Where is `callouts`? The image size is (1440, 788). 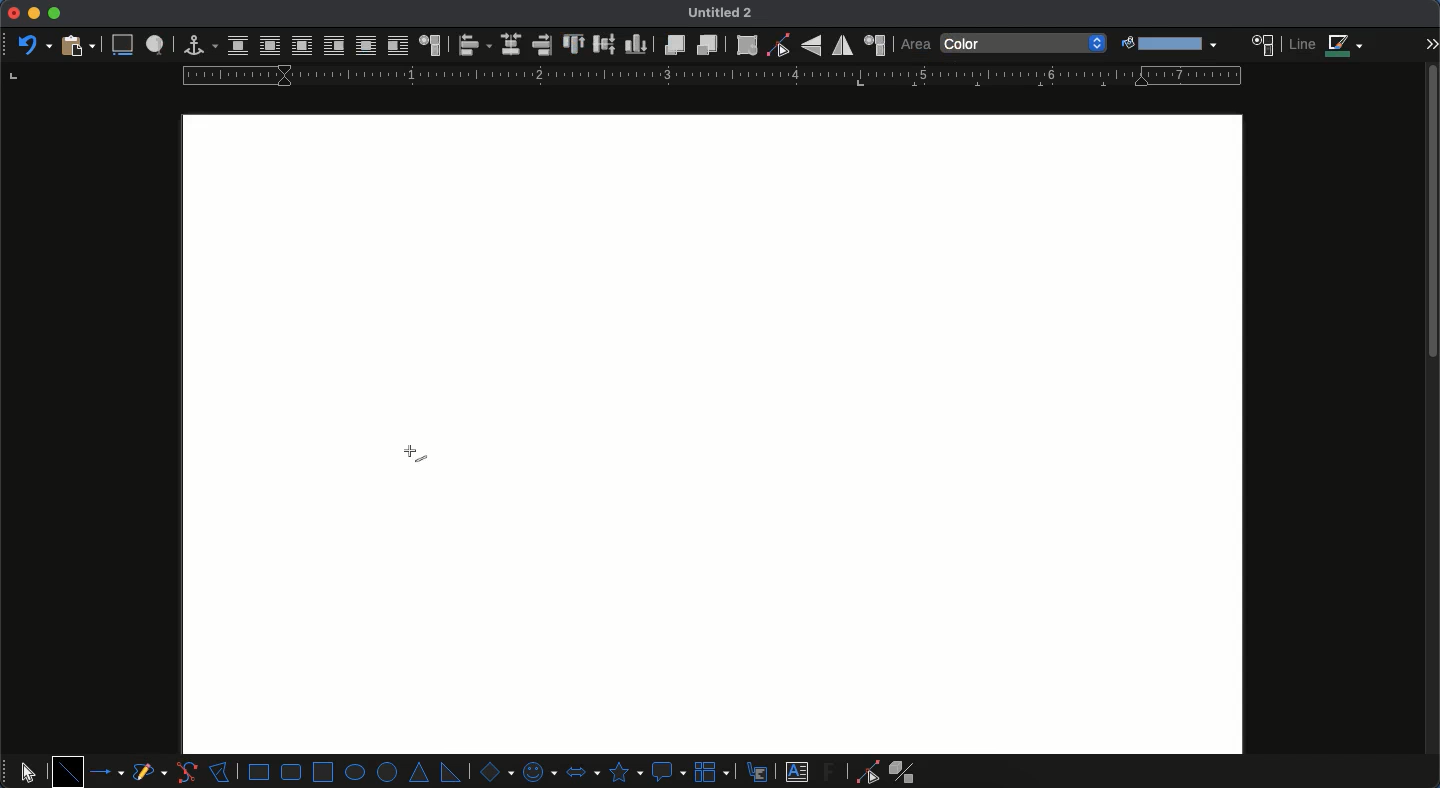
callouts is located at coordinates (759, 771).